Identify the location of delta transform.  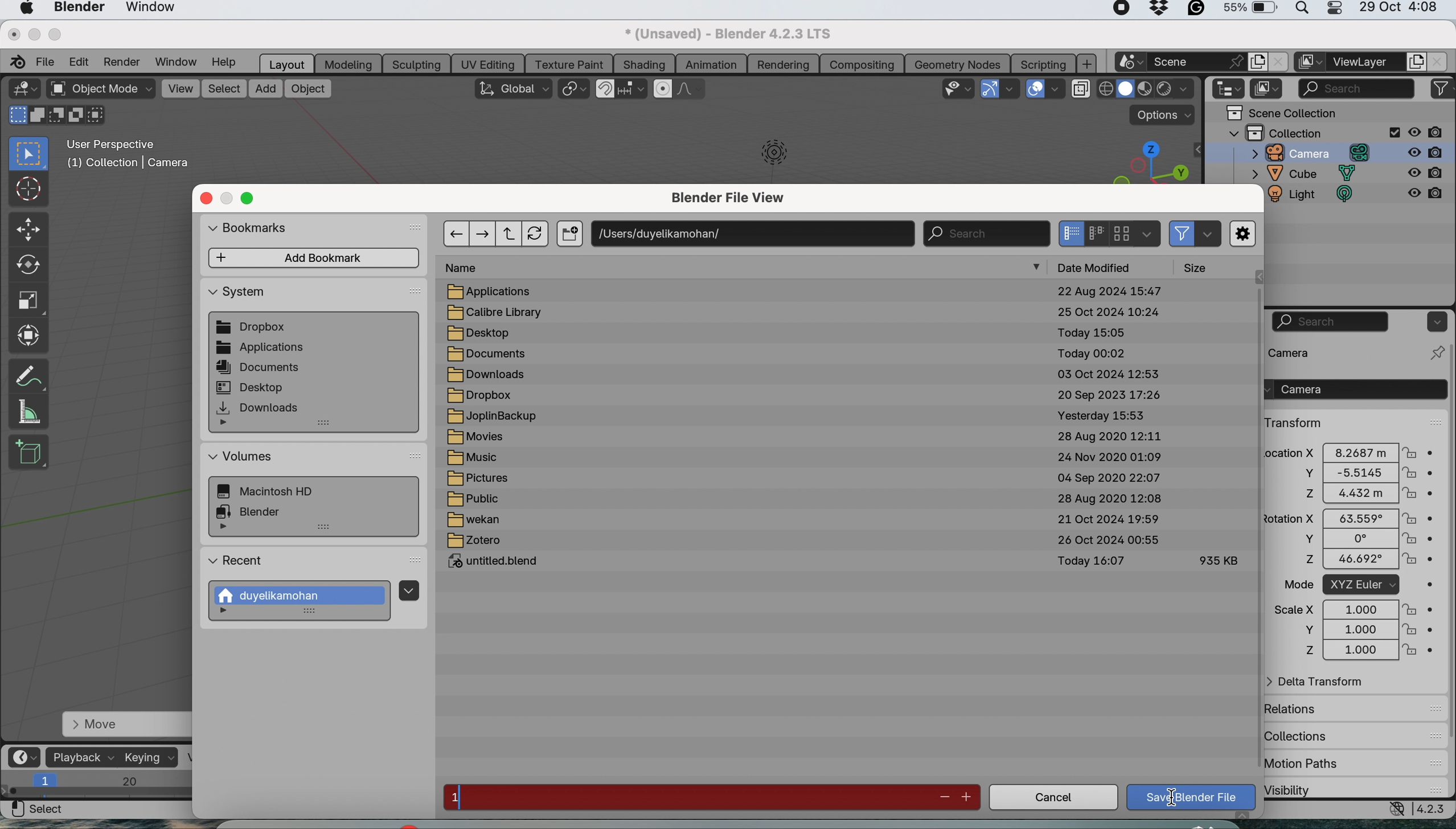
(1323, 683).